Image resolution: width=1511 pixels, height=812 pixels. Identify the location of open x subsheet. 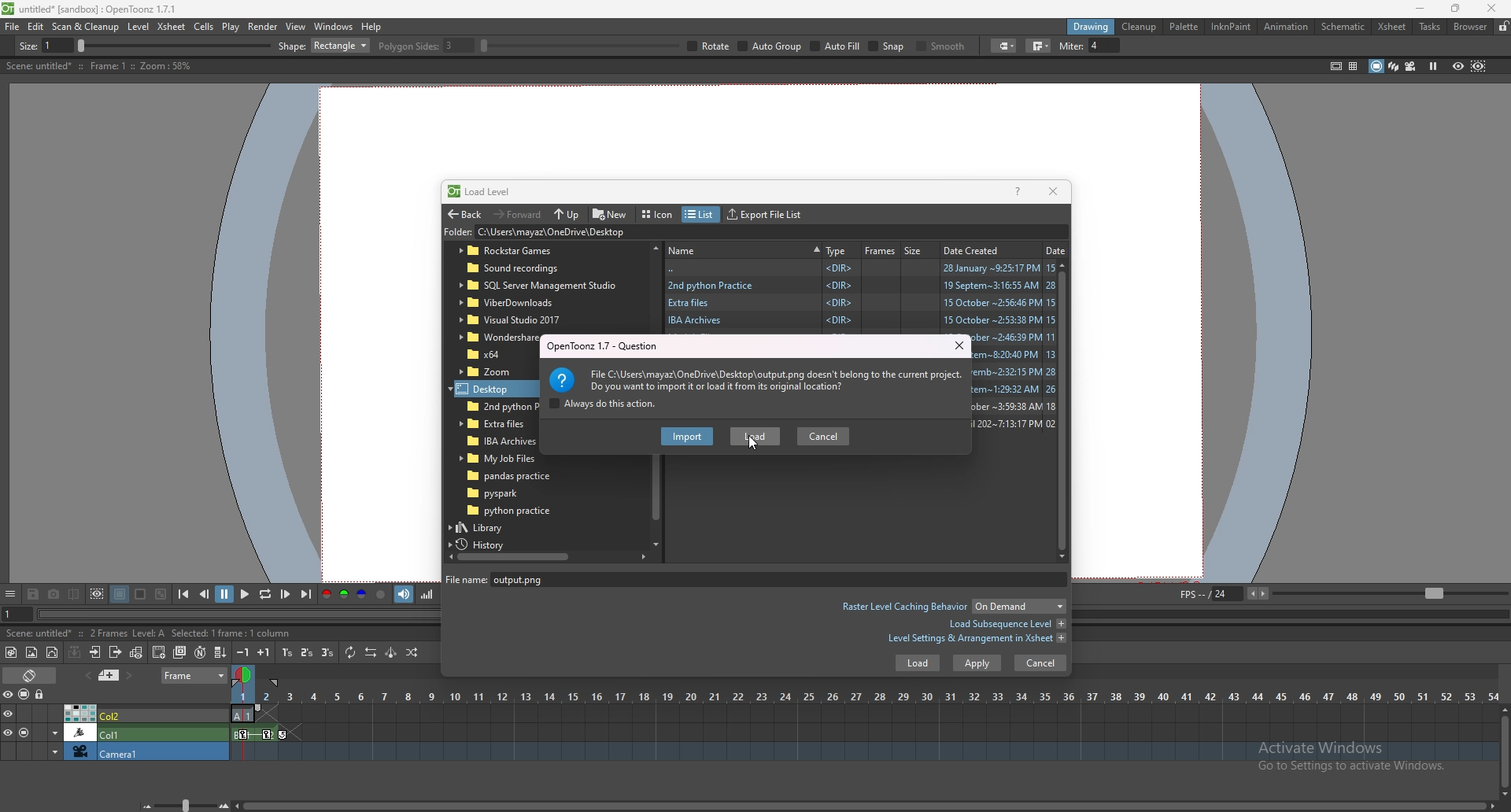
(95, 652).